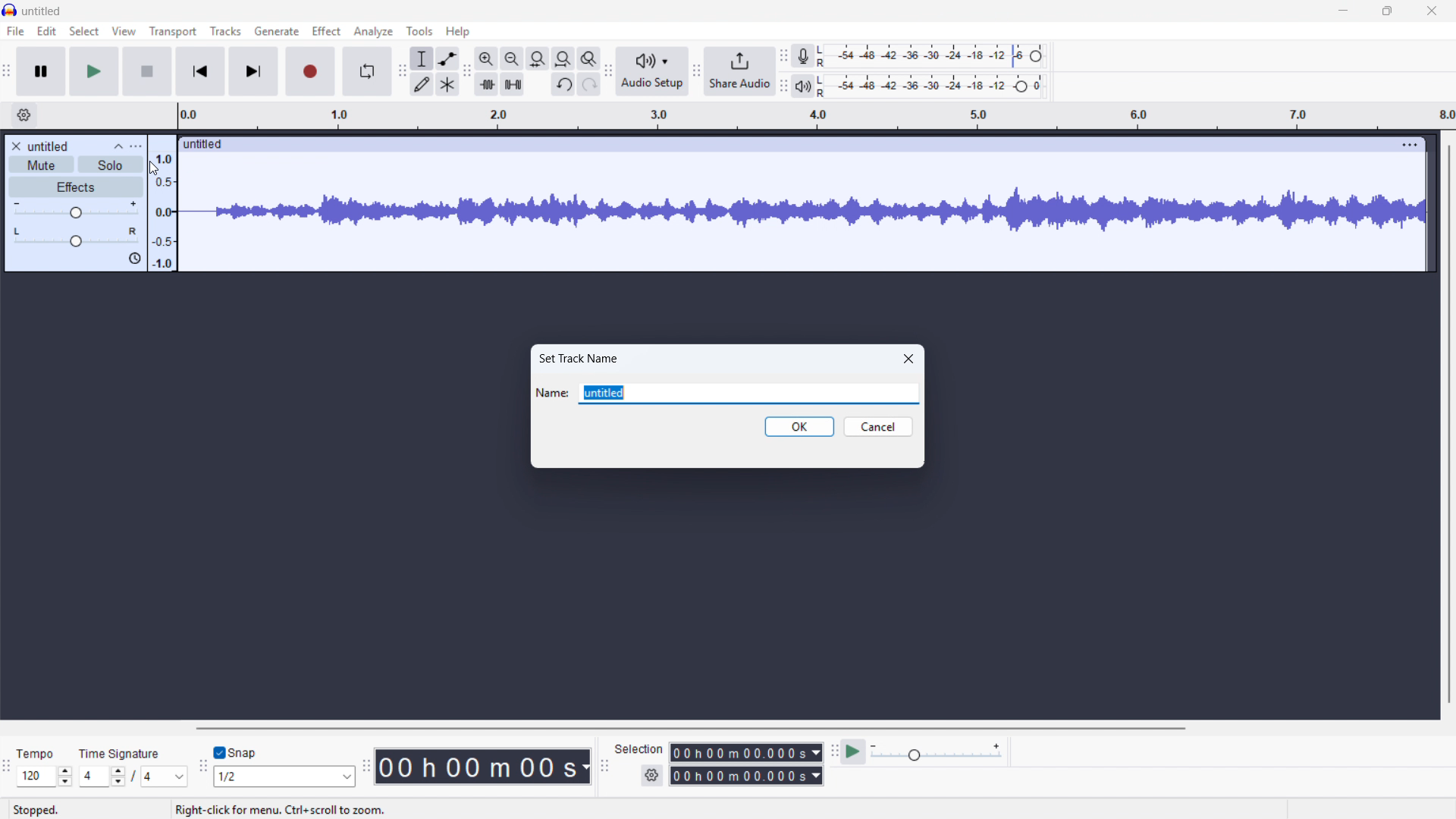  Describe the element at coordinates (422, 84) in the screenshot. I see `Draw tool ` at that location.